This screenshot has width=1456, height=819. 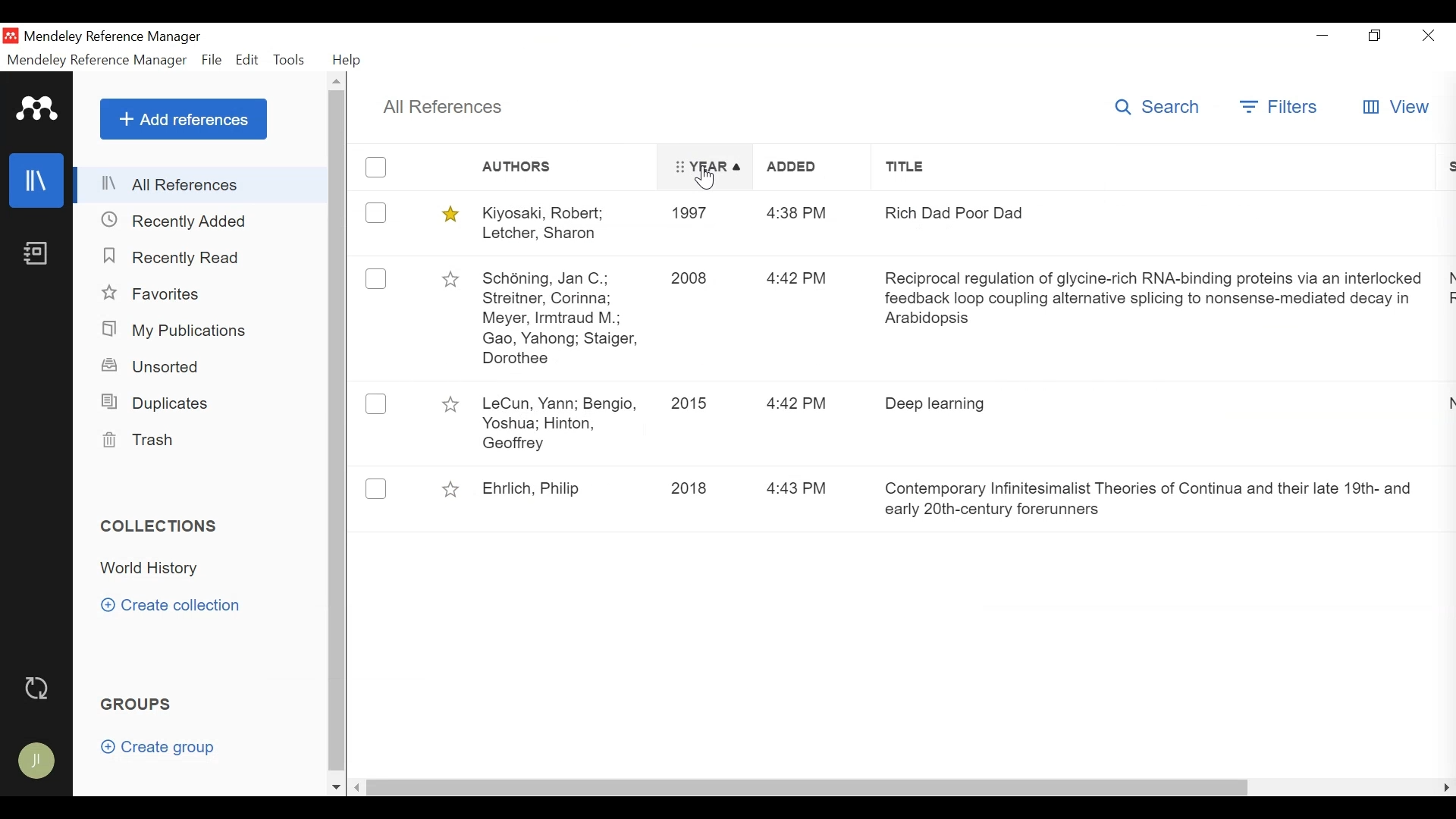 I want to click on Contemporary Infinitesimalist Theories of Continua and their late 19th- and early 20th-century forerunners, so click(x=1148, y=494).